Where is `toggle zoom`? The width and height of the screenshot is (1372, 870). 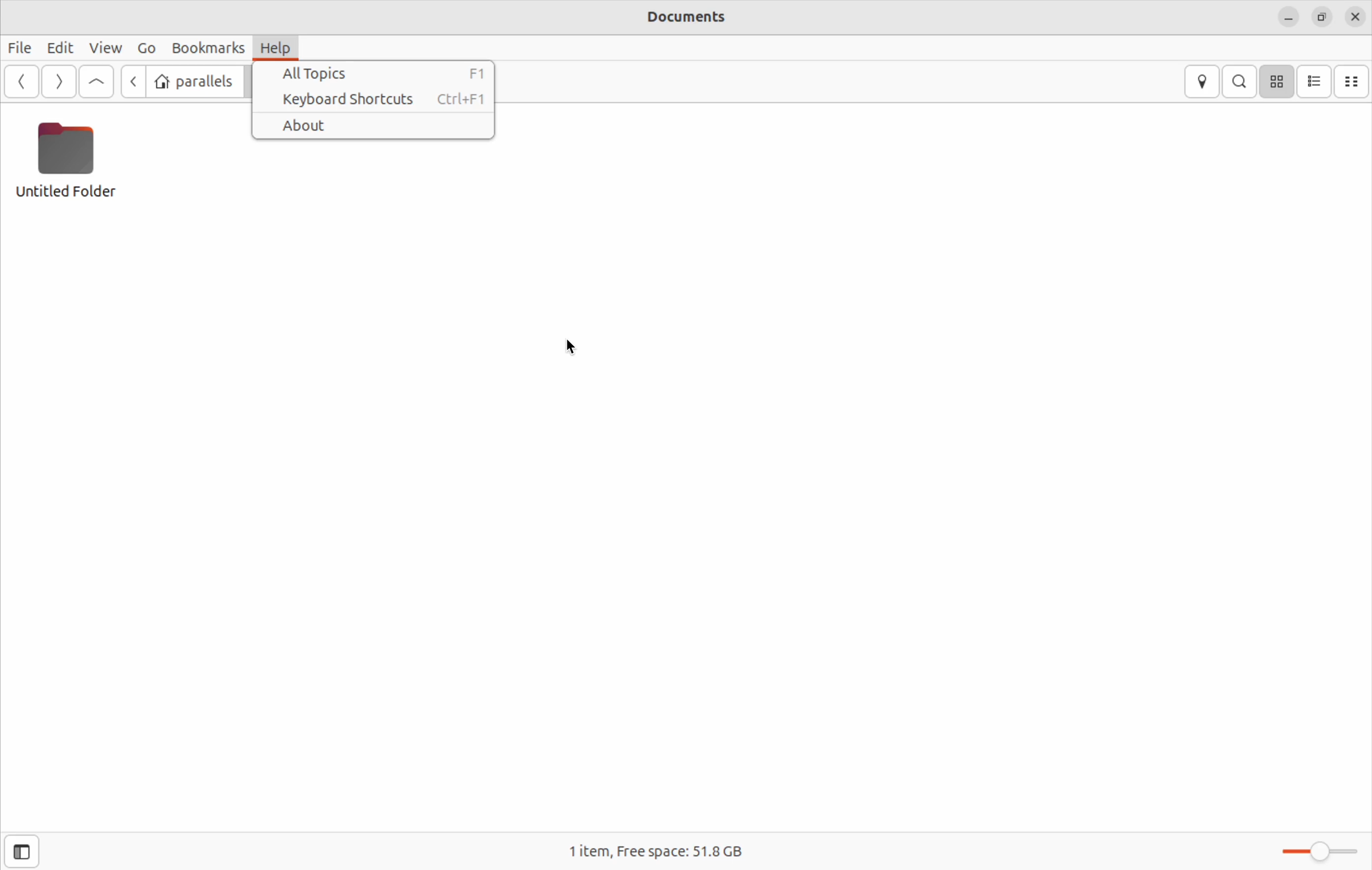
toggle zoom is located at coordinates (1316, 847).